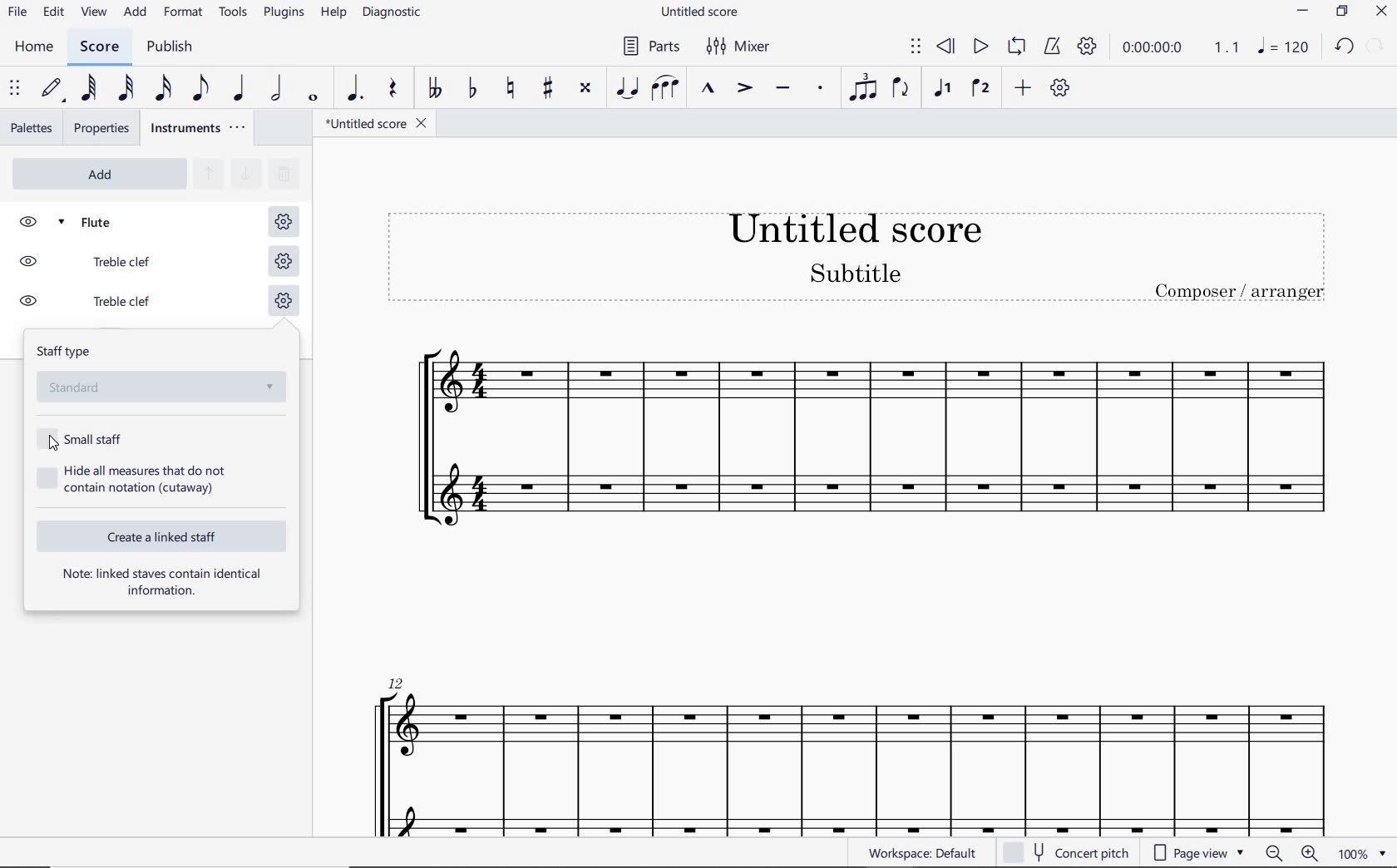 This screenshot has height=868, width=1397. What do you see at coordinates (1288, 853) in the screenshot?
I see `zoom in or zoom out` at bounding box center [1288, 853].